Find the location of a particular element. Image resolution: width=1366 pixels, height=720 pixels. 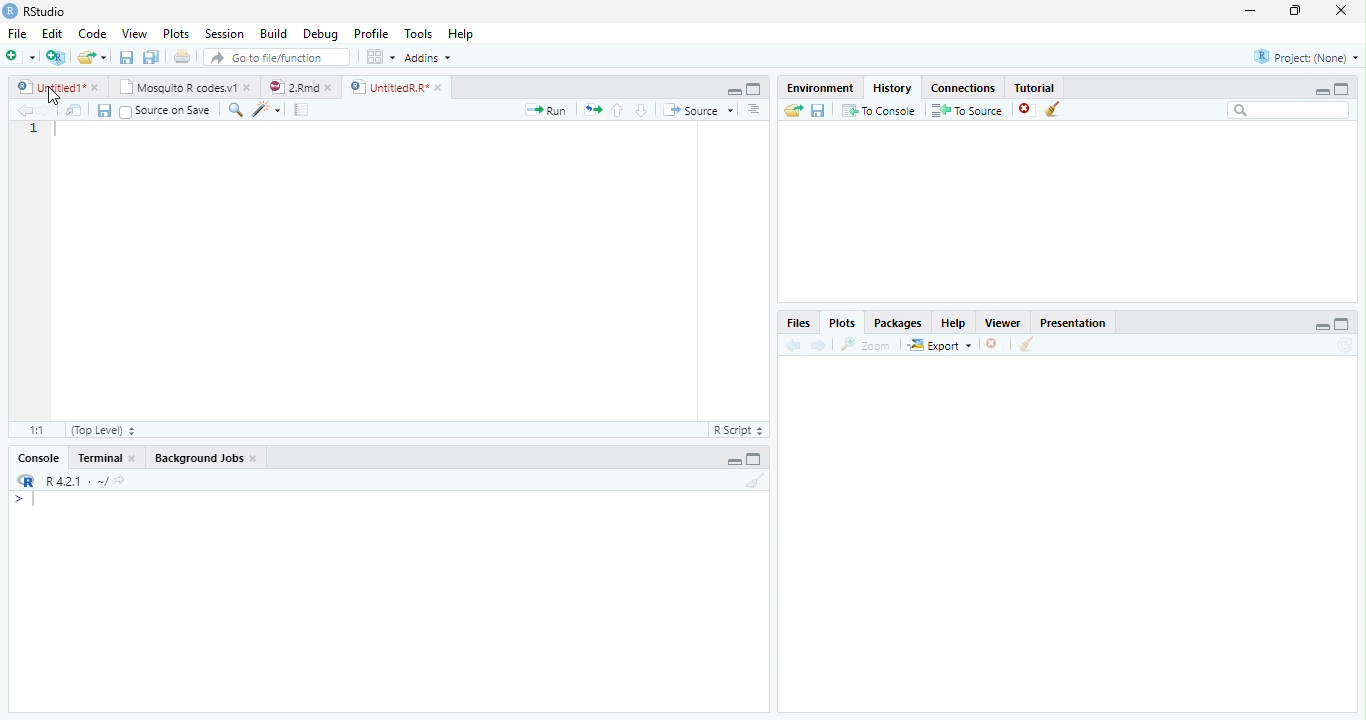

Connection is located at coordinates (963, 88).